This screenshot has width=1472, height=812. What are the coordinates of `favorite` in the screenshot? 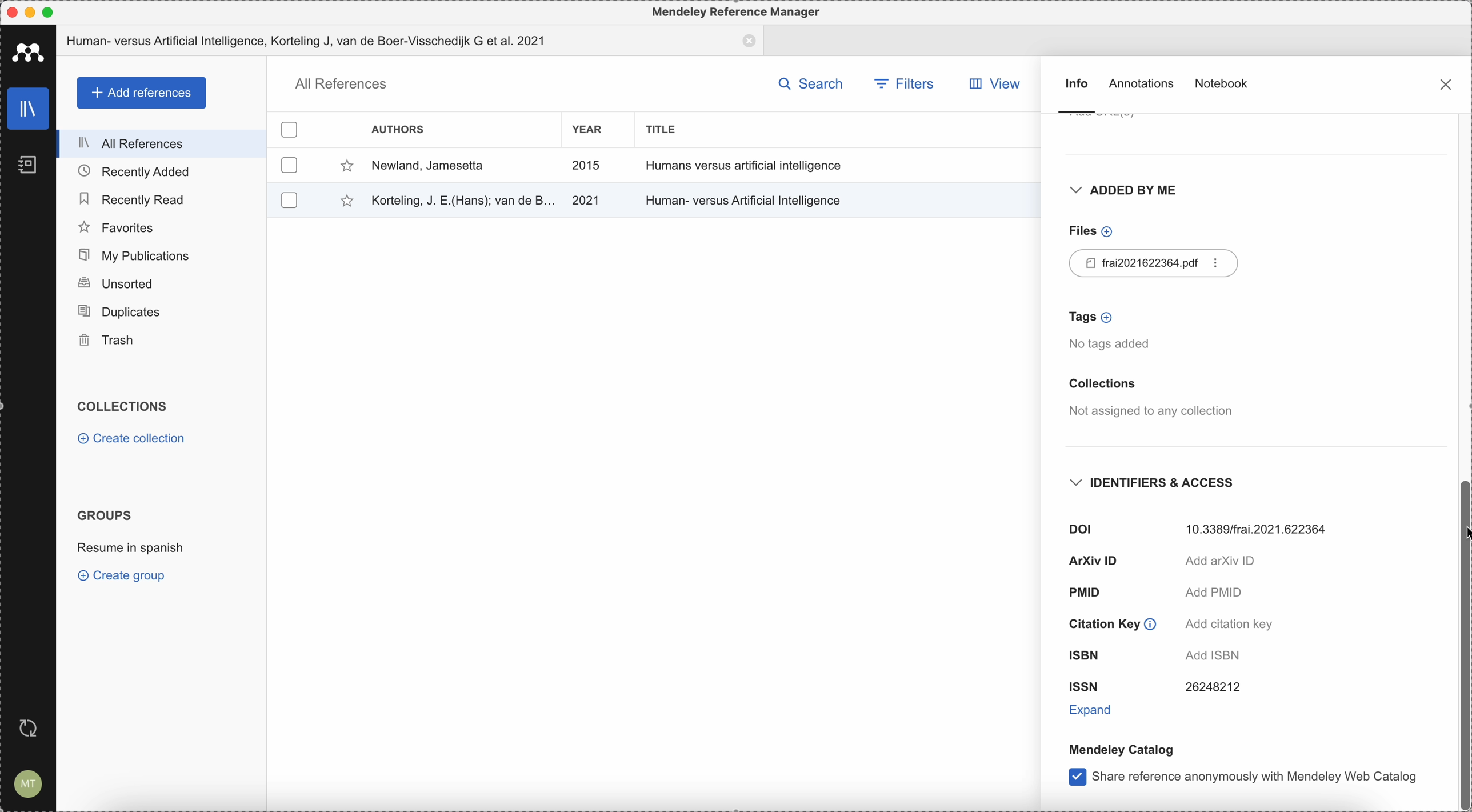 It's located at (344, 166).